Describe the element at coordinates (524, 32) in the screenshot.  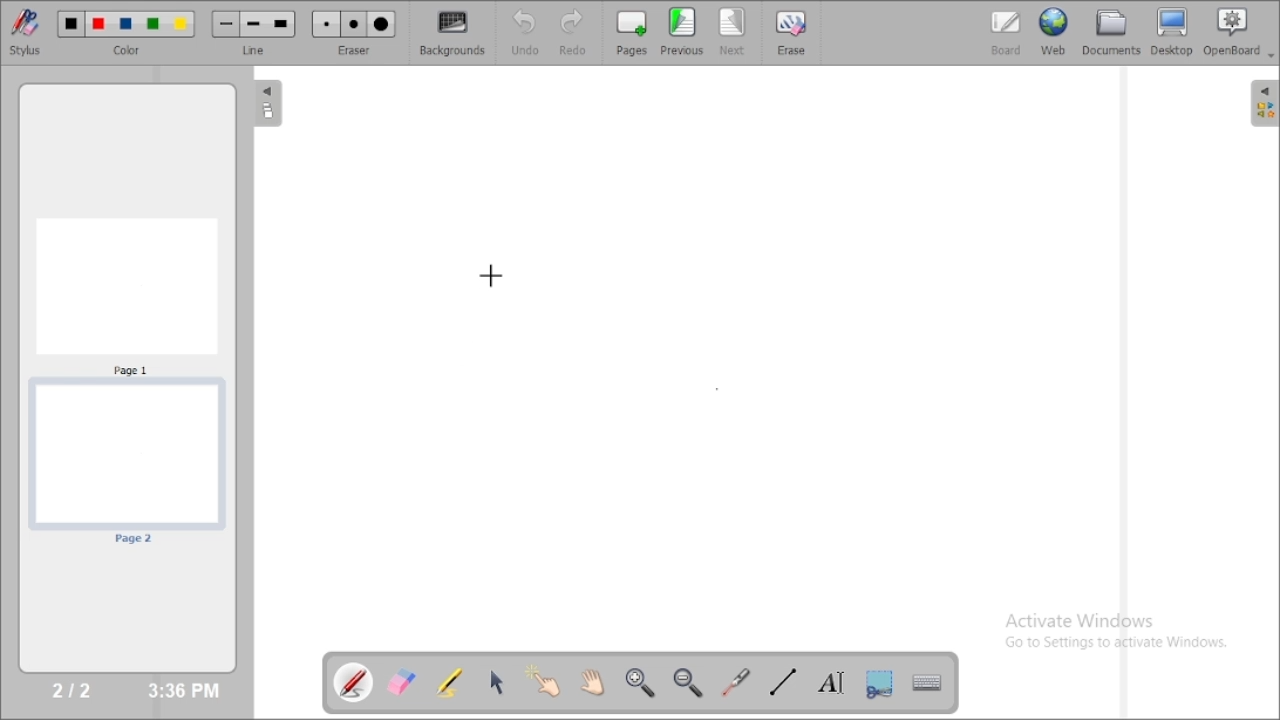
I see `undo` at that location.